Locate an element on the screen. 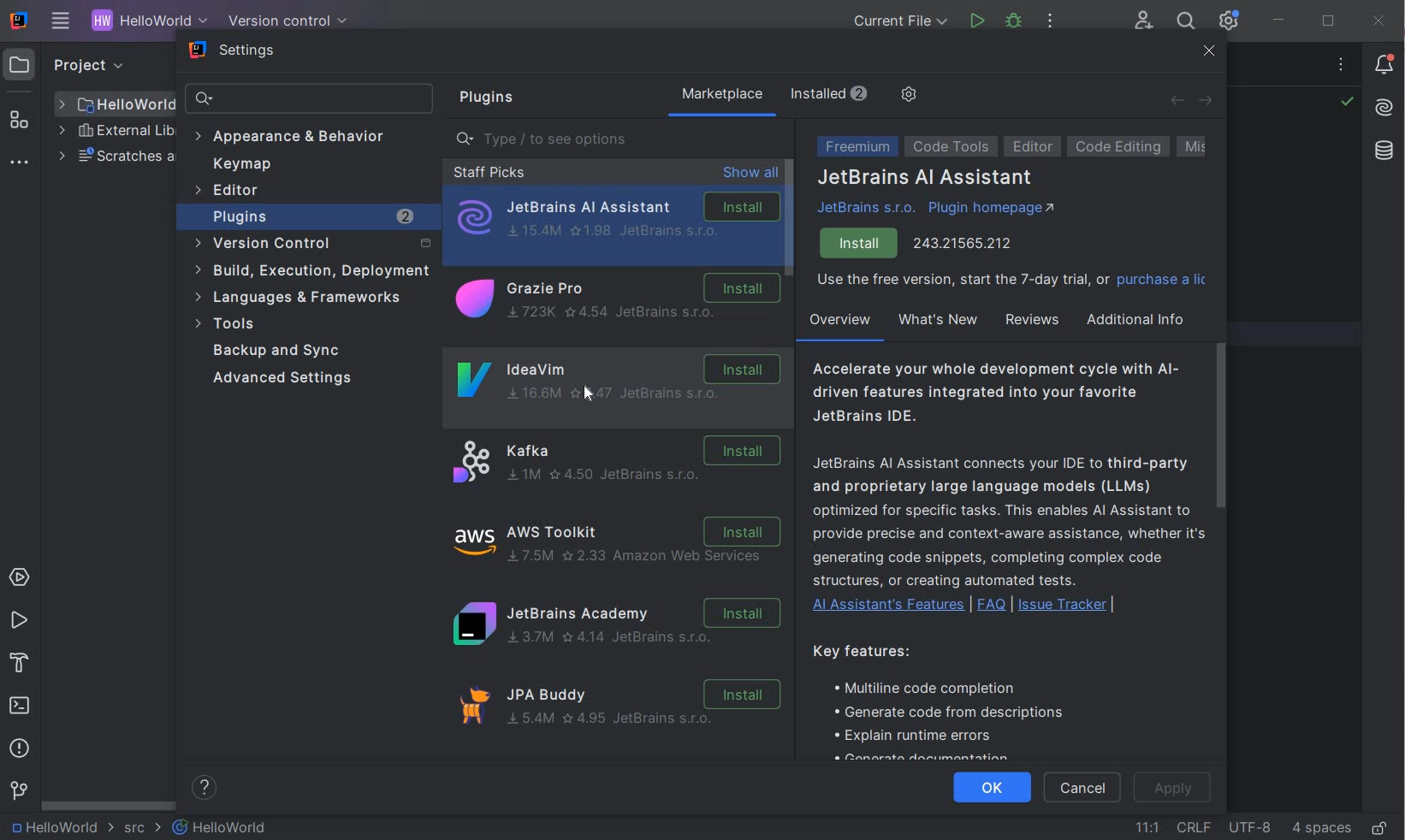 Image resolution: width=1405 pixels, height=840 pixels. SYSTEM NAME is located at coordinates (16, 21).